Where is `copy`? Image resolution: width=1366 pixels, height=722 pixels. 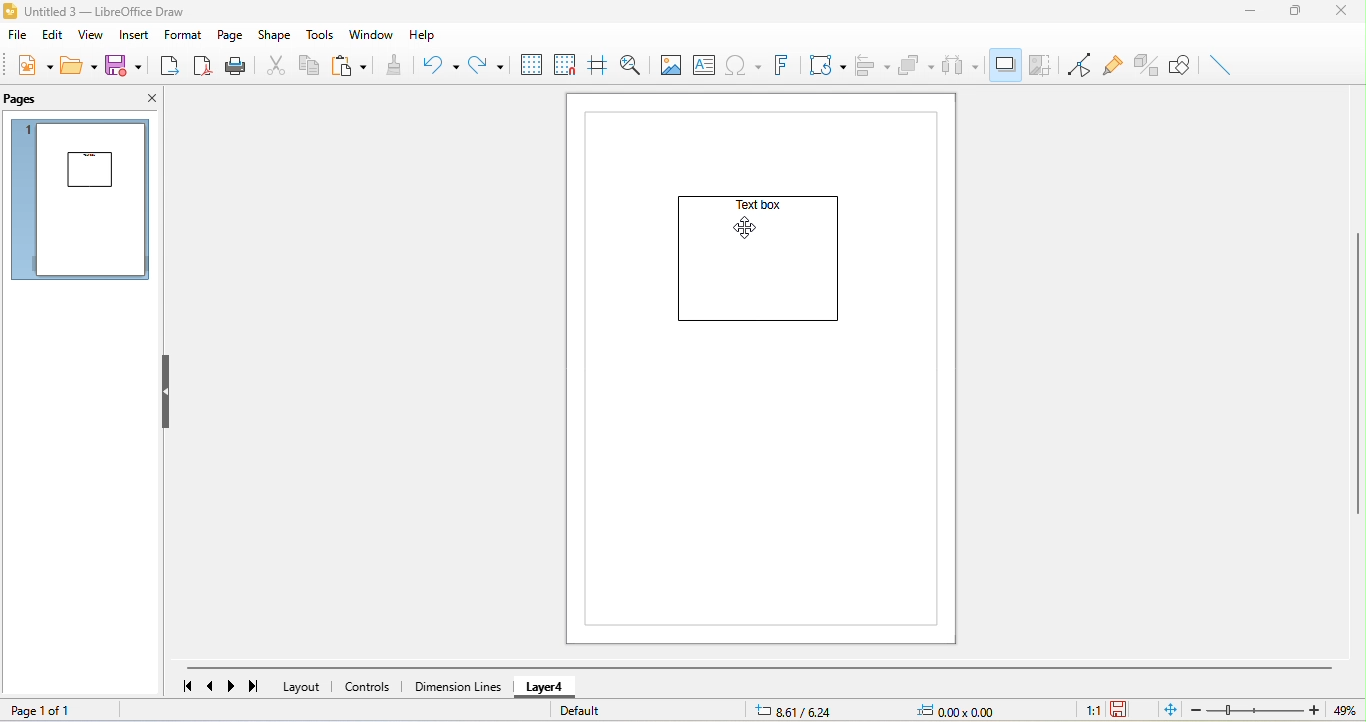 copy is located at coordinates (310, 65).